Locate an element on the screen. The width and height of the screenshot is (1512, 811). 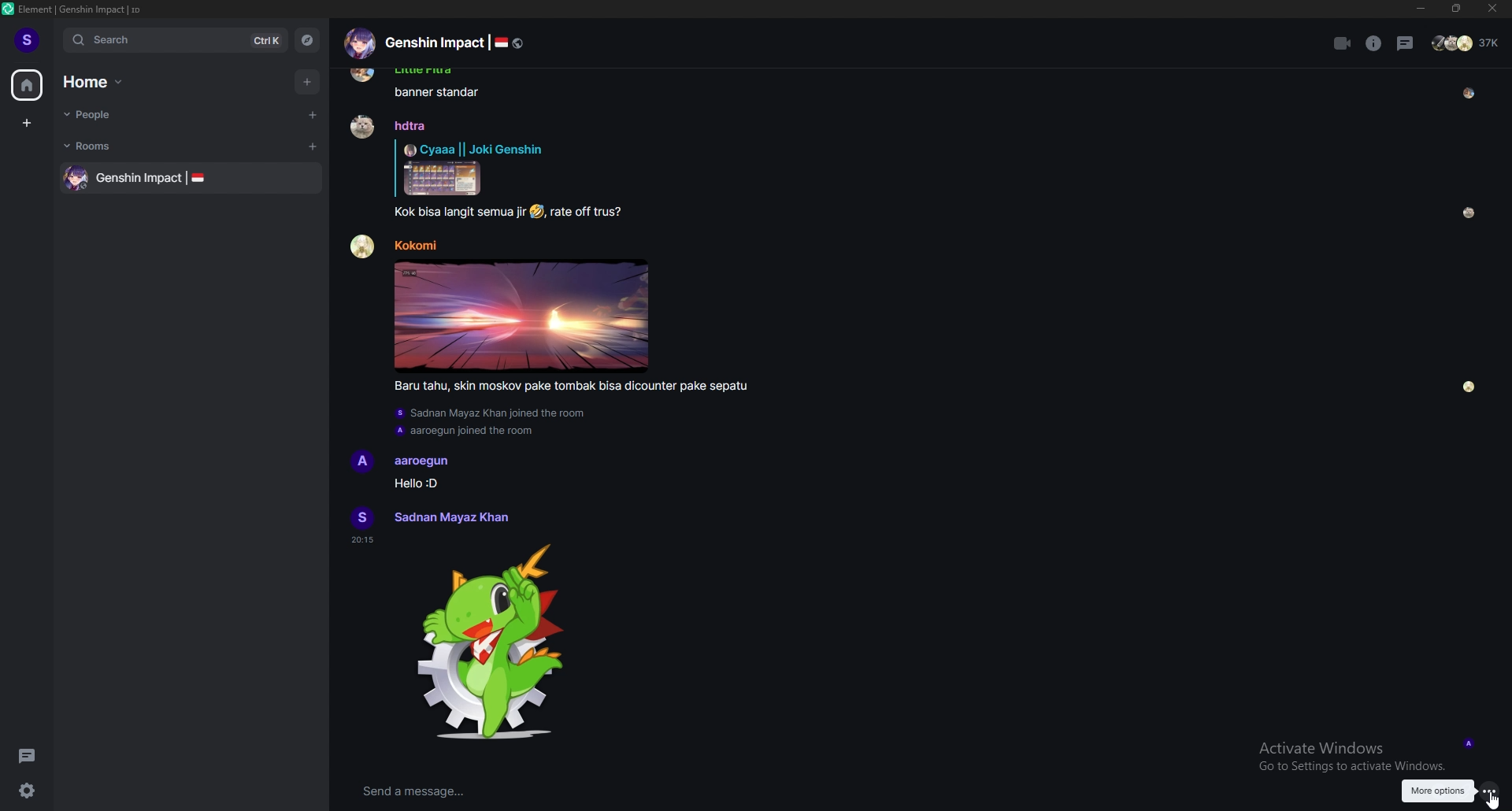
people is located at coordinates (1467, 43).